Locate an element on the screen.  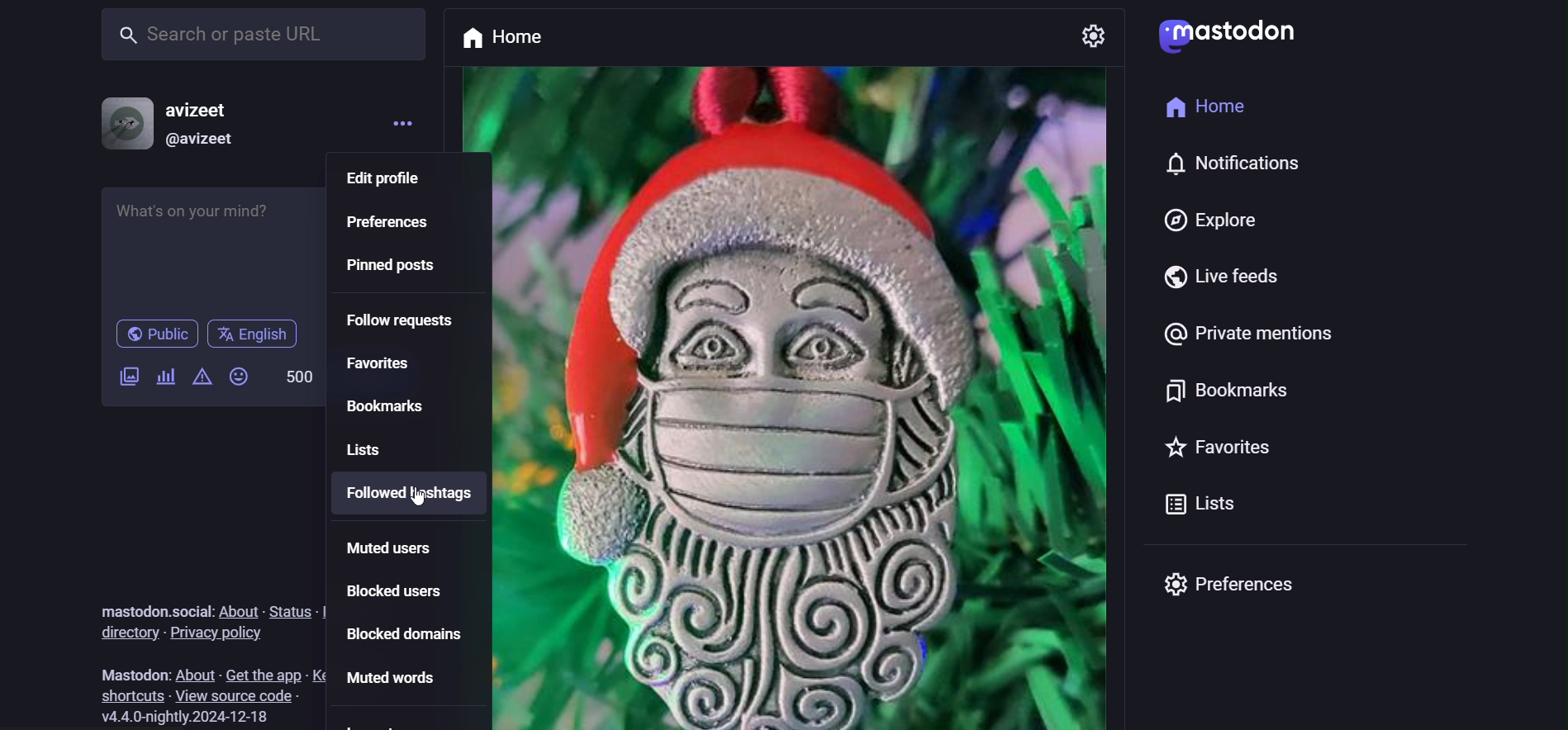
preferences is located at coordinates (1220, 587).